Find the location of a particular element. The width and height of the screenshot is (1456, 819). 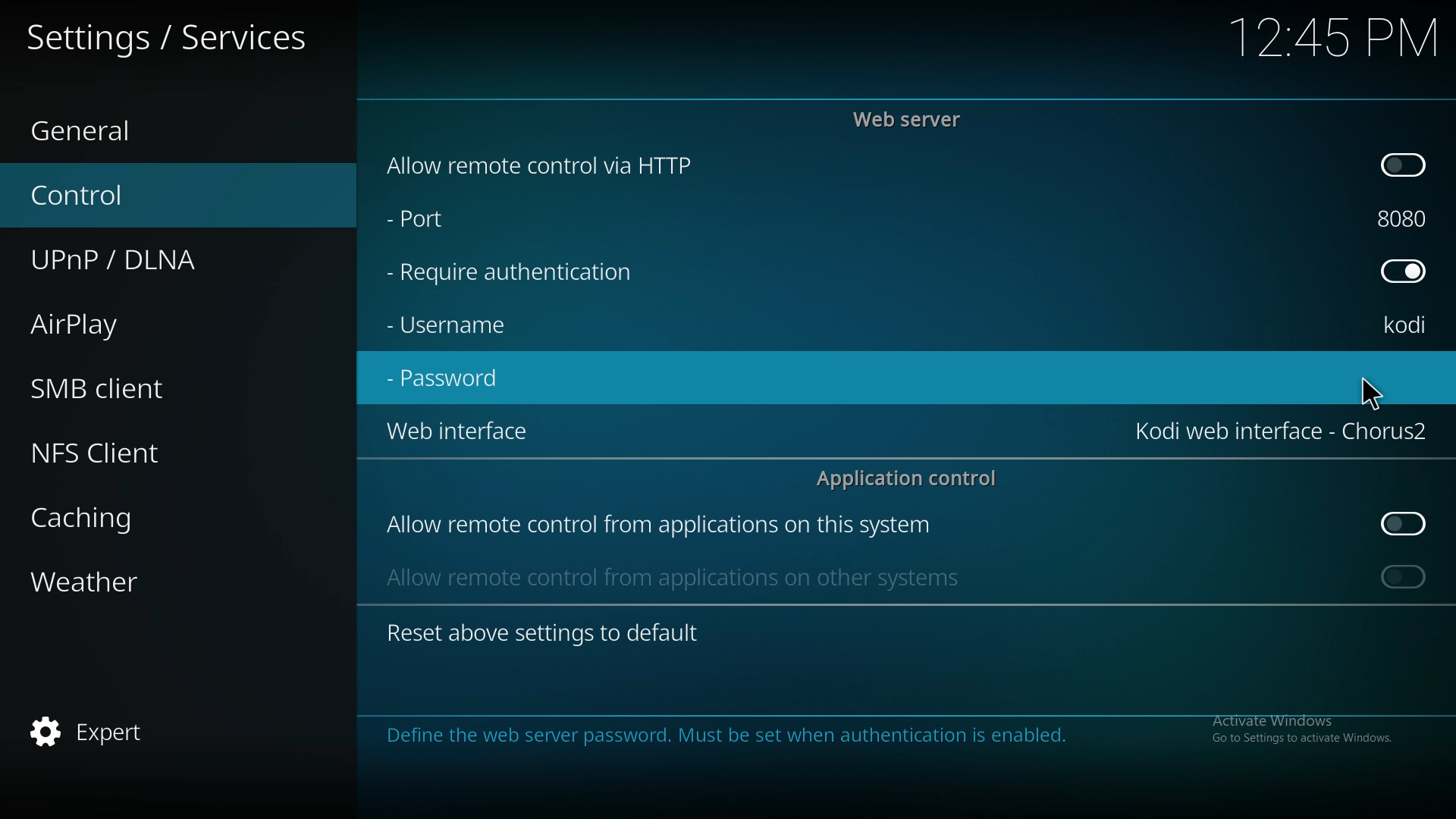

username is located at coordinates (1407, 327).